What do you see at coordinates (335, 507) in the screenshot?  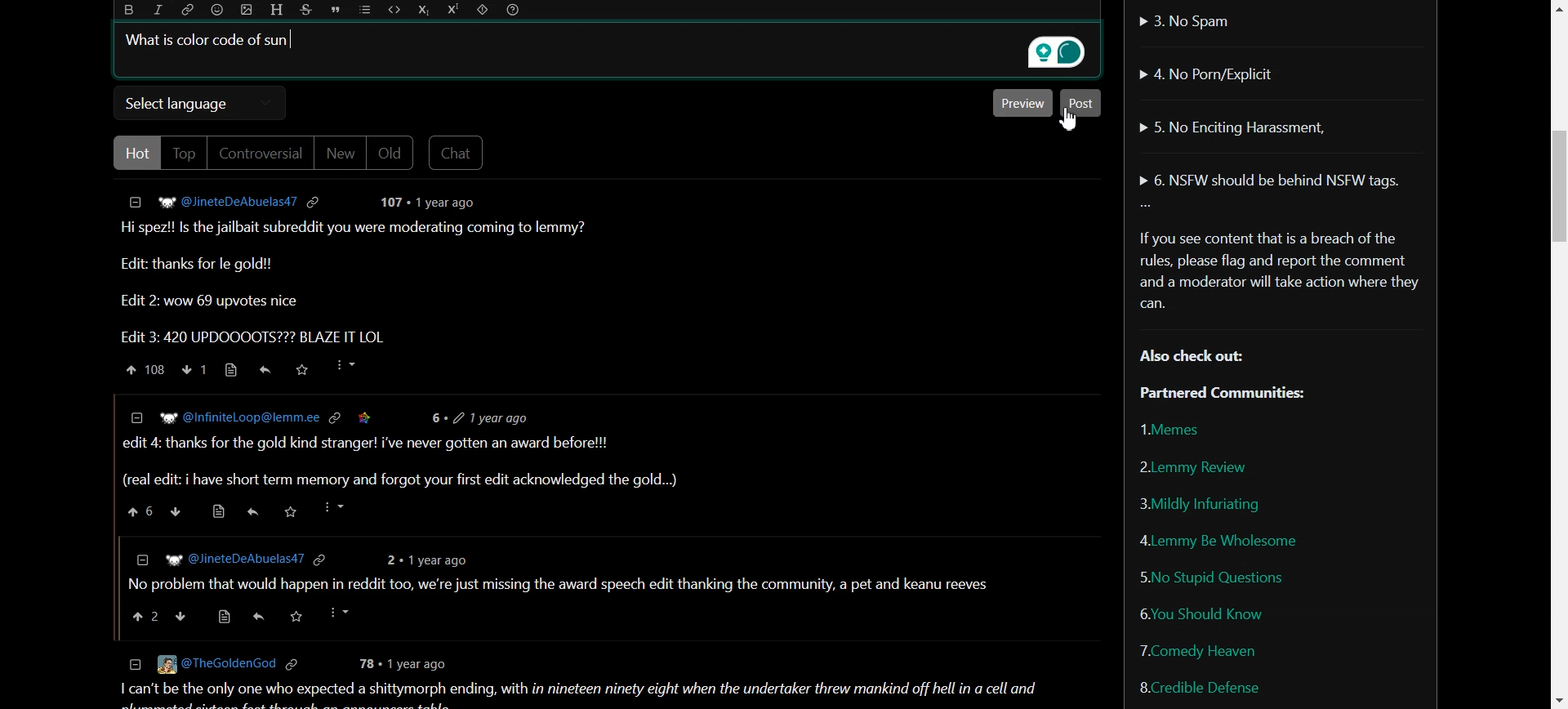 I see `more` at bounding box center [335, 507].